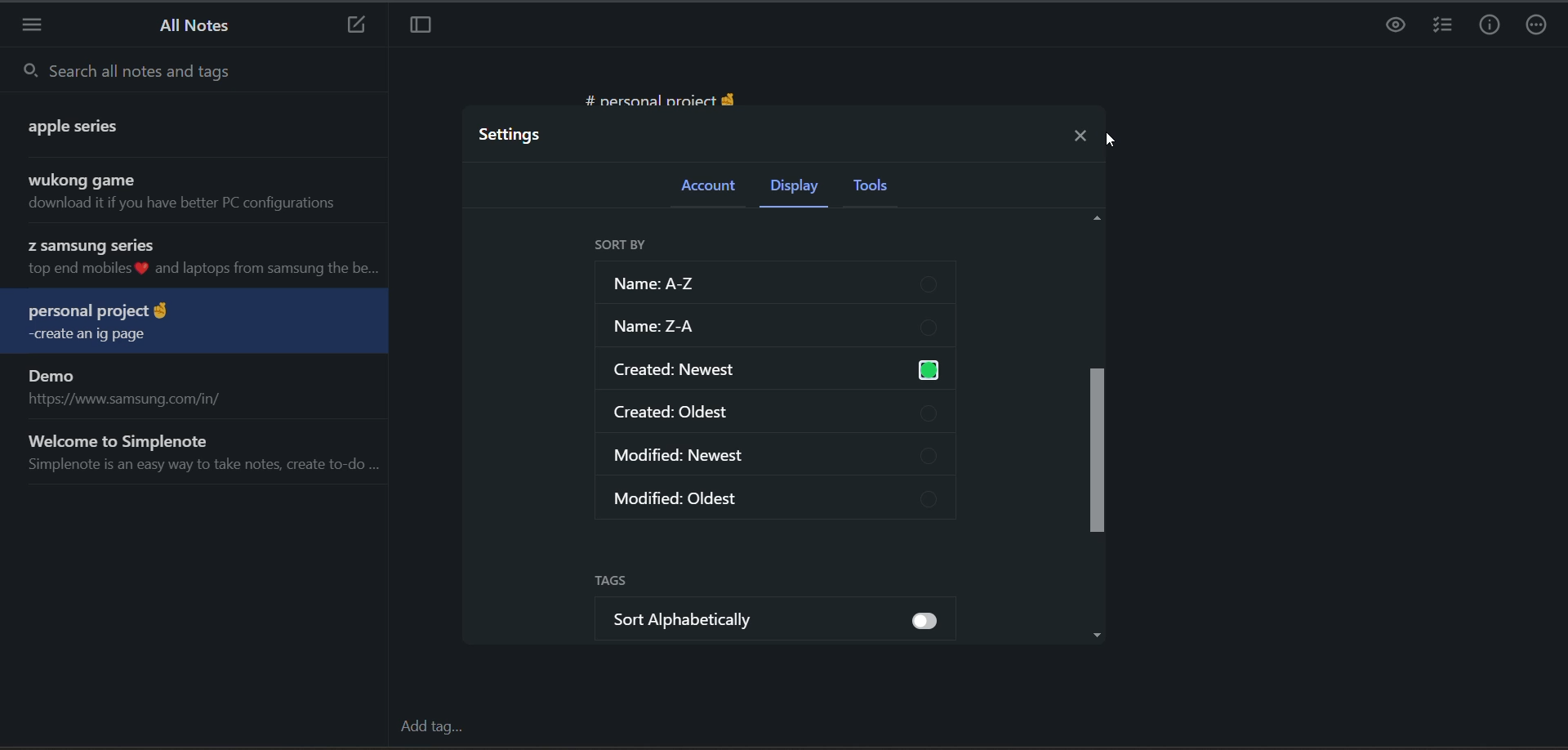  Describe the element at coordinates (190, 27) in the screenshot. I see `all notes` at that location.